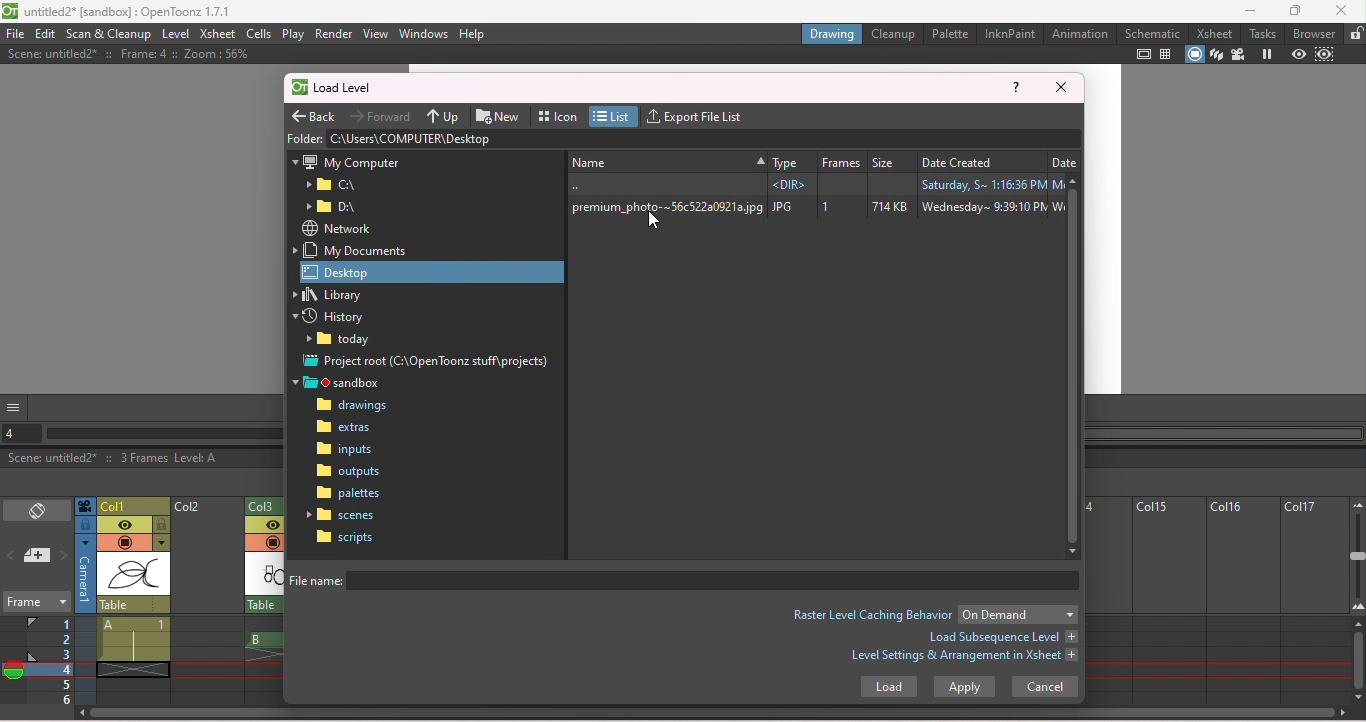 The height and width of the screenshot is (722, 1366). Describe the element at coordinates (85, 506) in the screenshot. I see `Click to select camera` at that location.